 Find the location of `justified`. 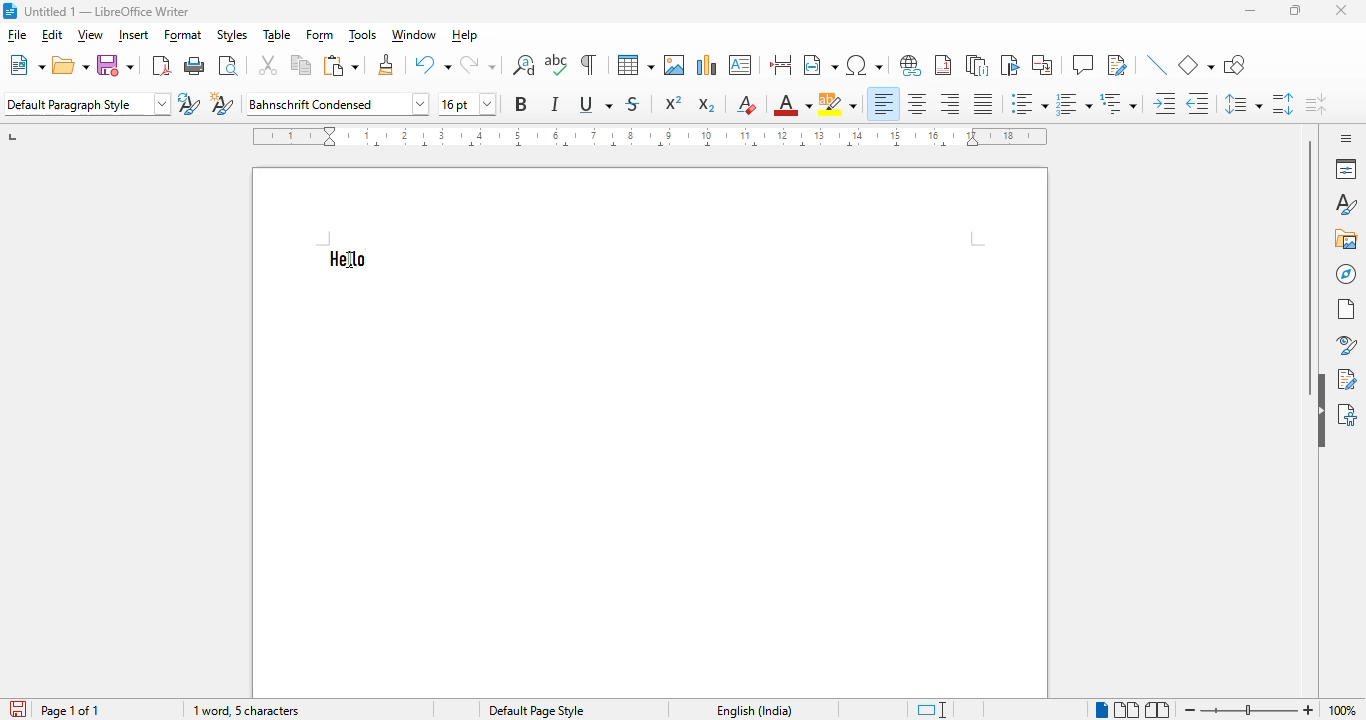

justified is located at coordinates (983, 104).